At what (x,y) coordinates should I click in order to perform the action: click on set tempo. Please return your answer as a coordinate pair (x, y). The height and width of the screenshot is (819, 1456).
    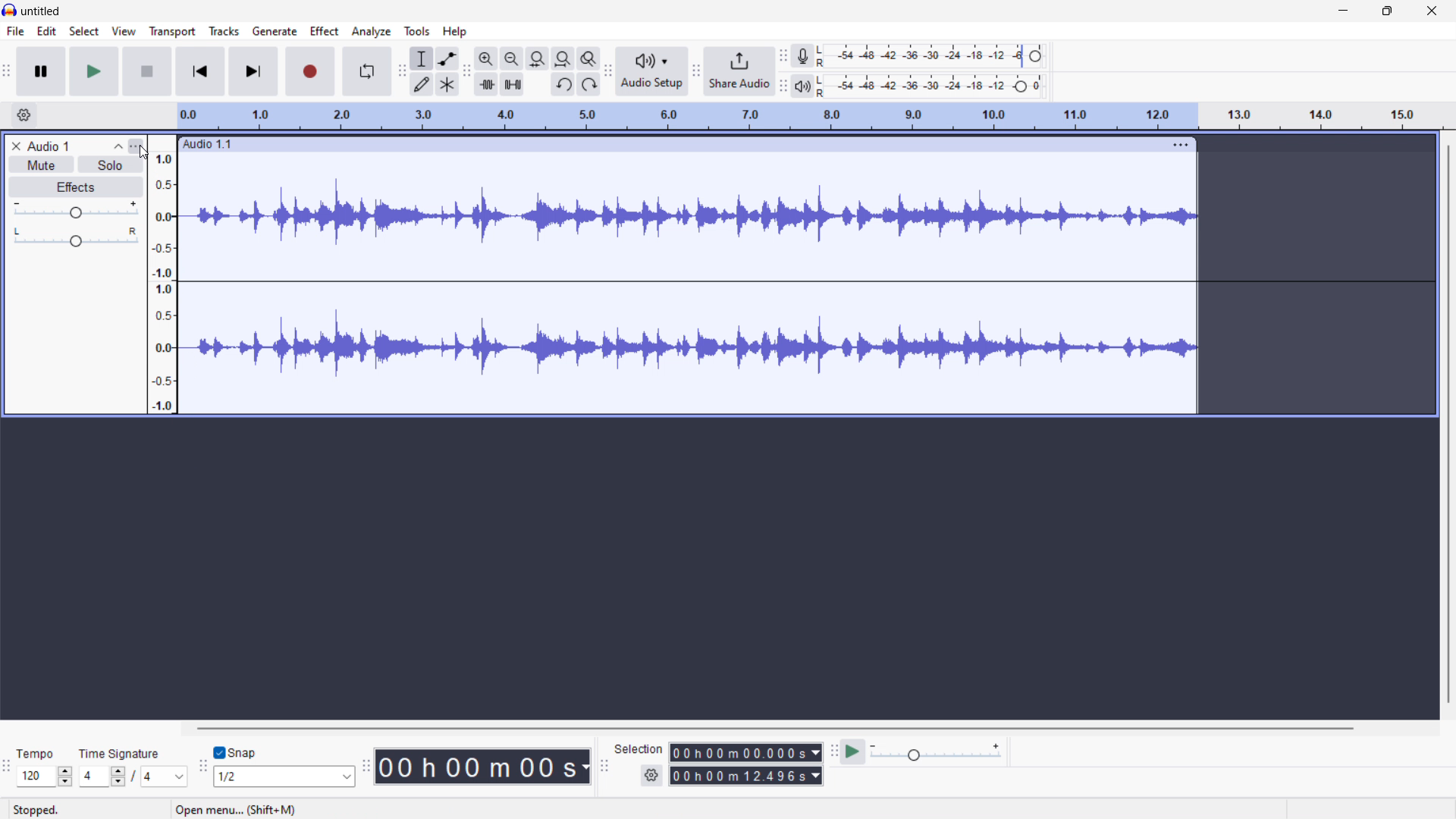
    Looking at the image, I should click on (45, 777).